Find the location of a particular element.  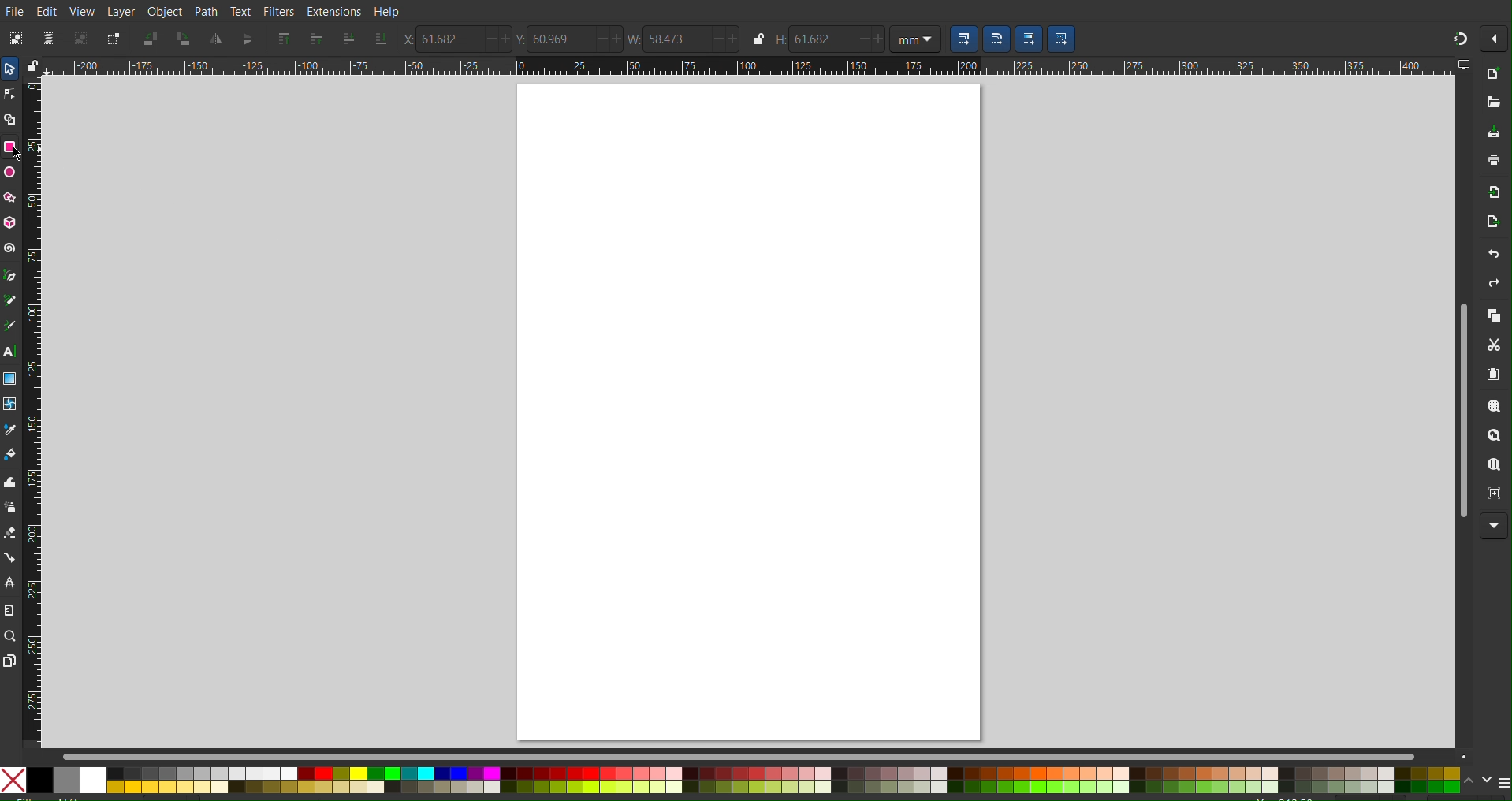

Ellipse is located at coordinates (9, 173).